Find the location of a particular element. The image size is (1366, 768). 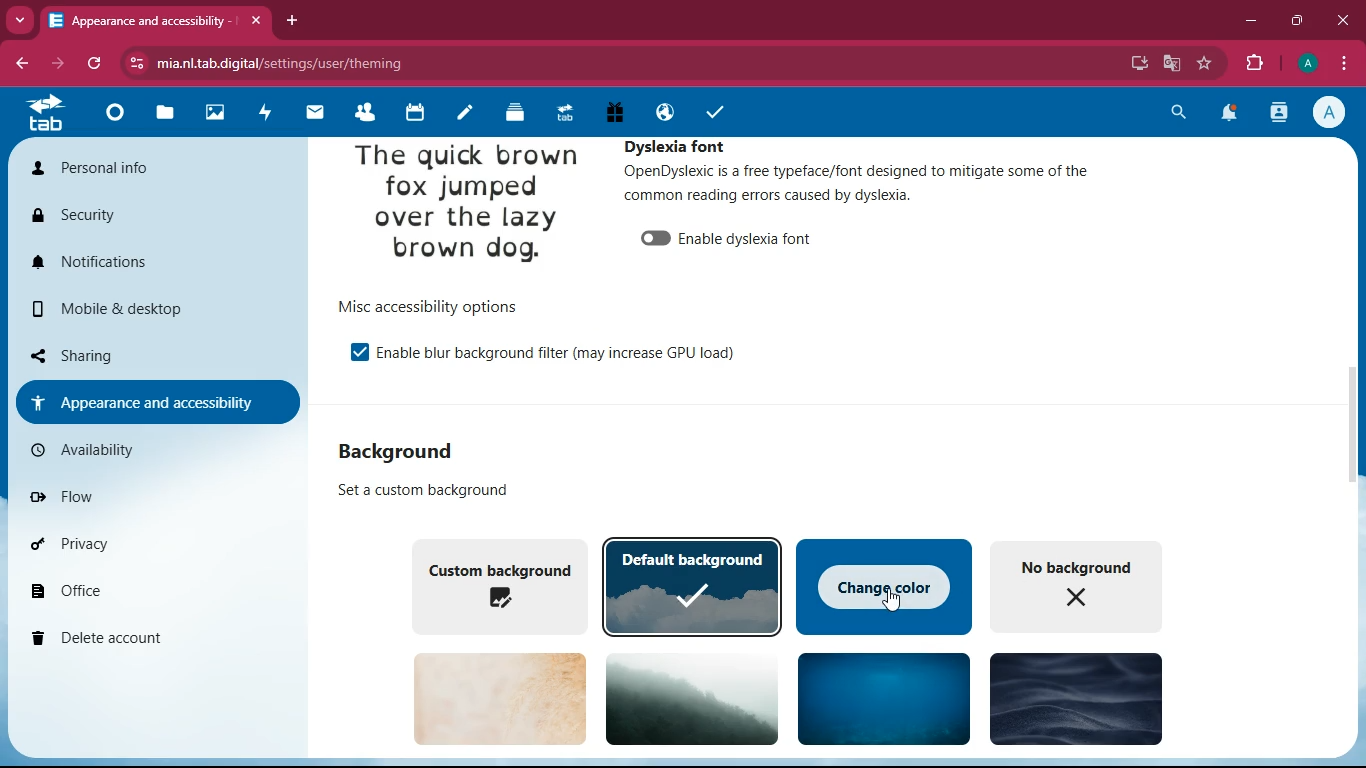

mobile & desktop is located at coordinates (125, 309).